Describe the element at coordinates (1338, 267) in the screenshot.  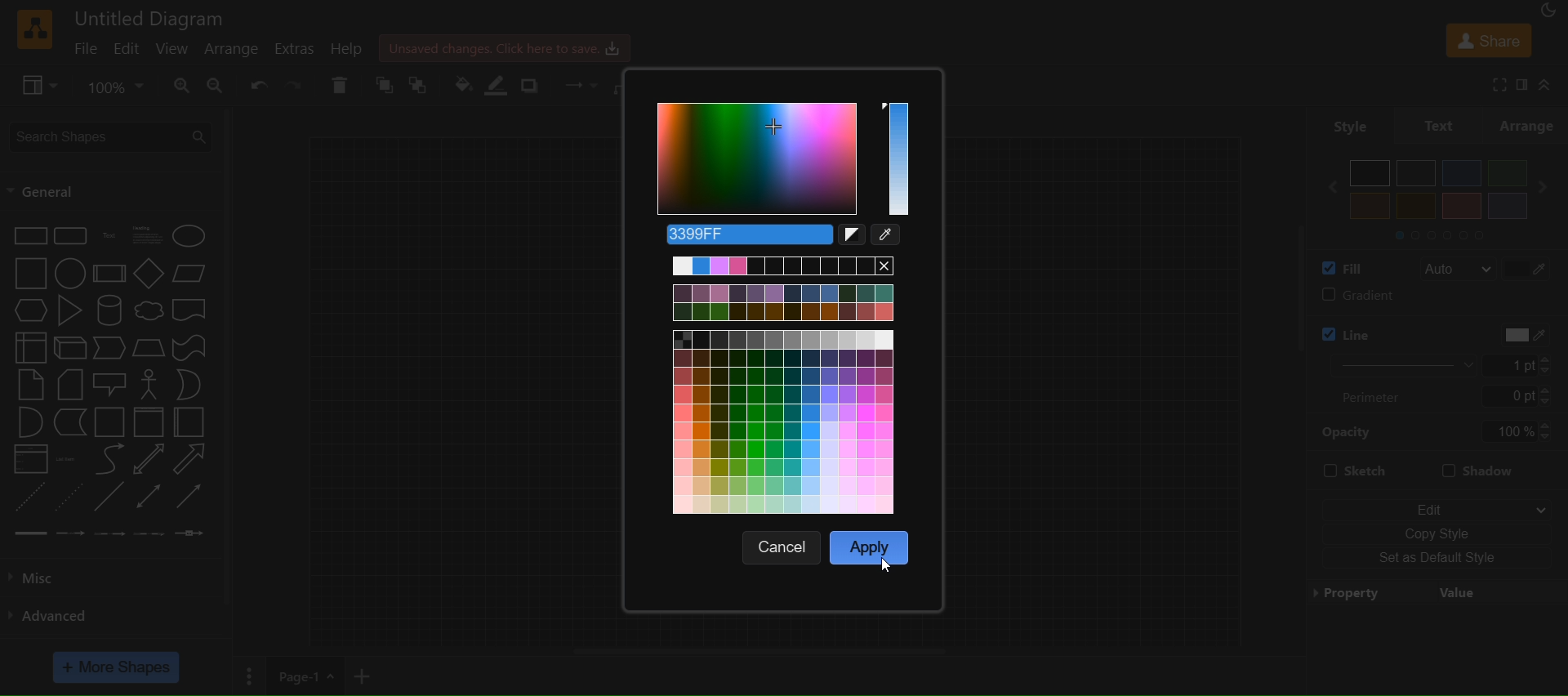
I see `fill color` at that location.